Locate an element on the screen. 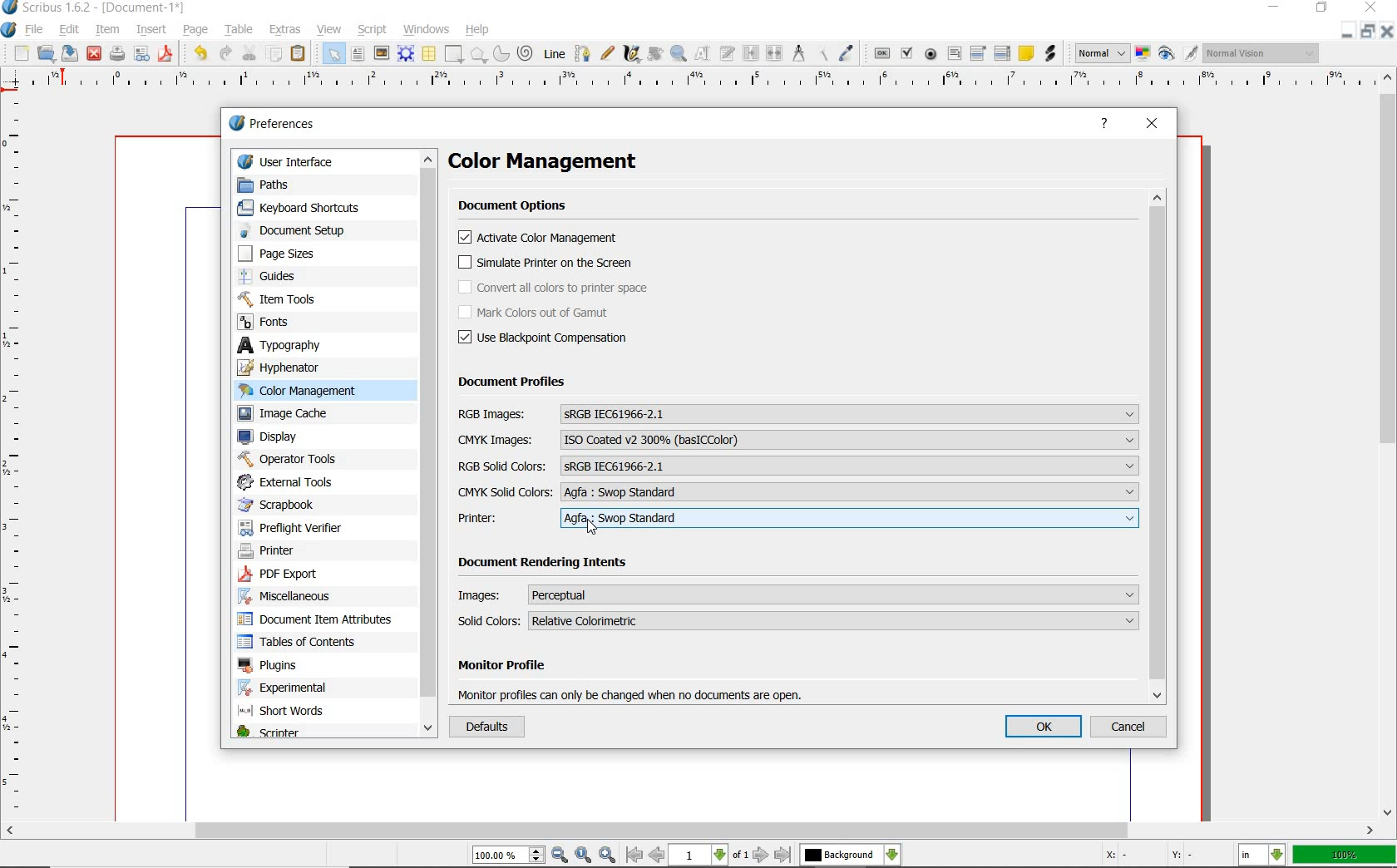 Image resolution: width=1397 pixels, height=868 pixels. link text frames is located at coordinates (748, 55).